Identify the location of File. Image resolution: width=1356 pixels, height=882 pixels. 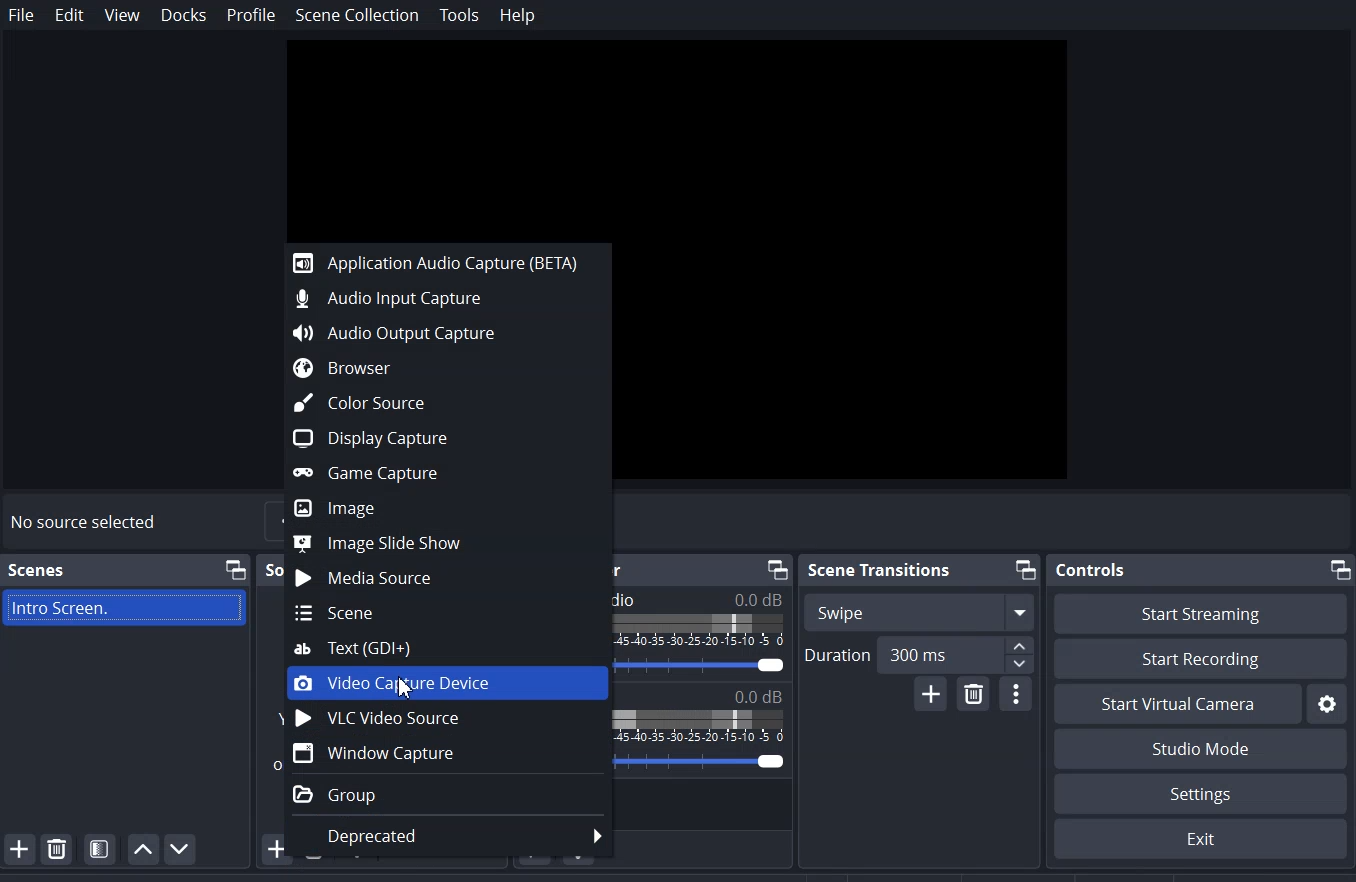
(21, 14).